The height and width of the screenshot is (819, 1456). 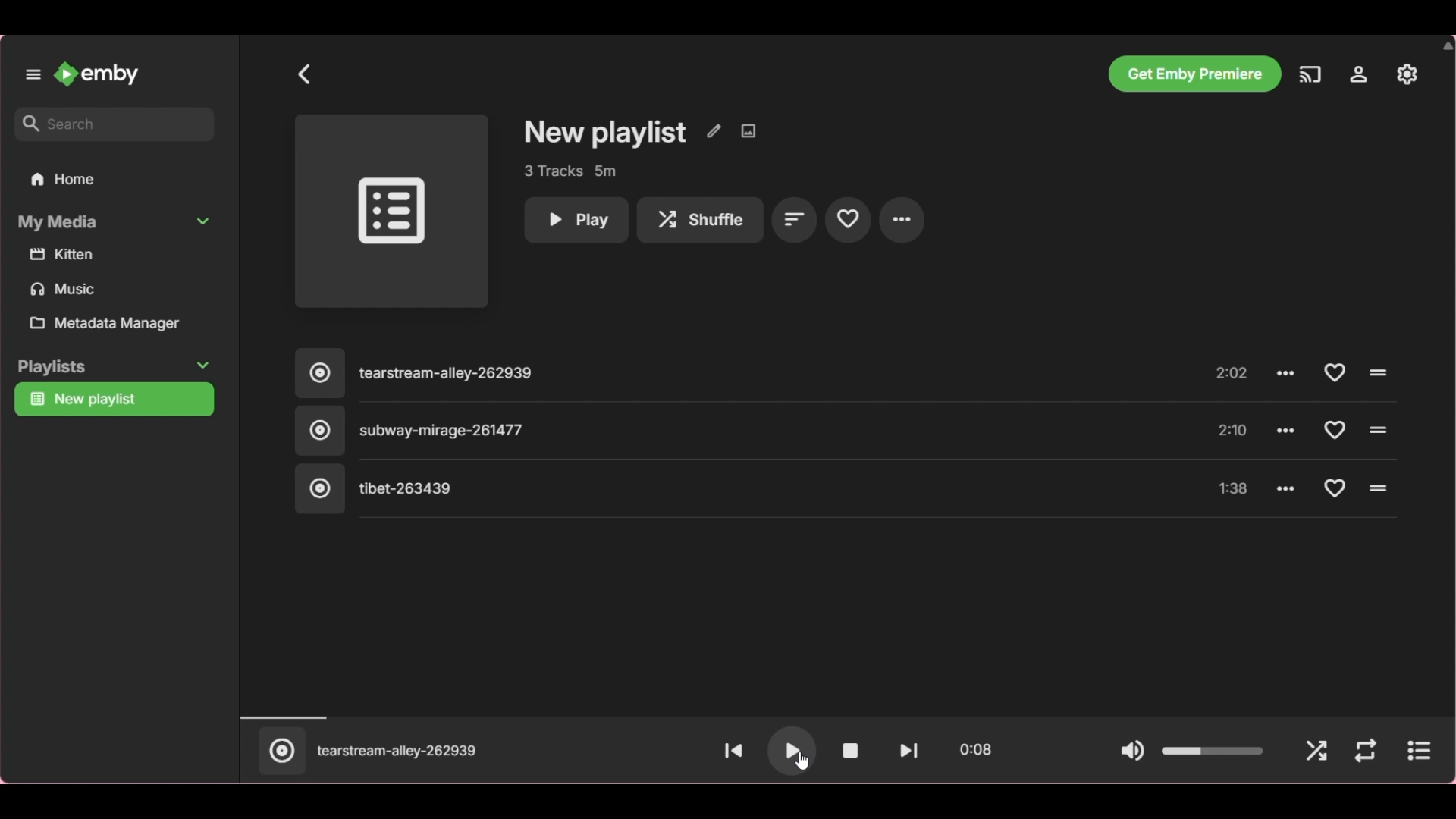 I want to click on Click to play respective song, so click(x=1379, y=488).